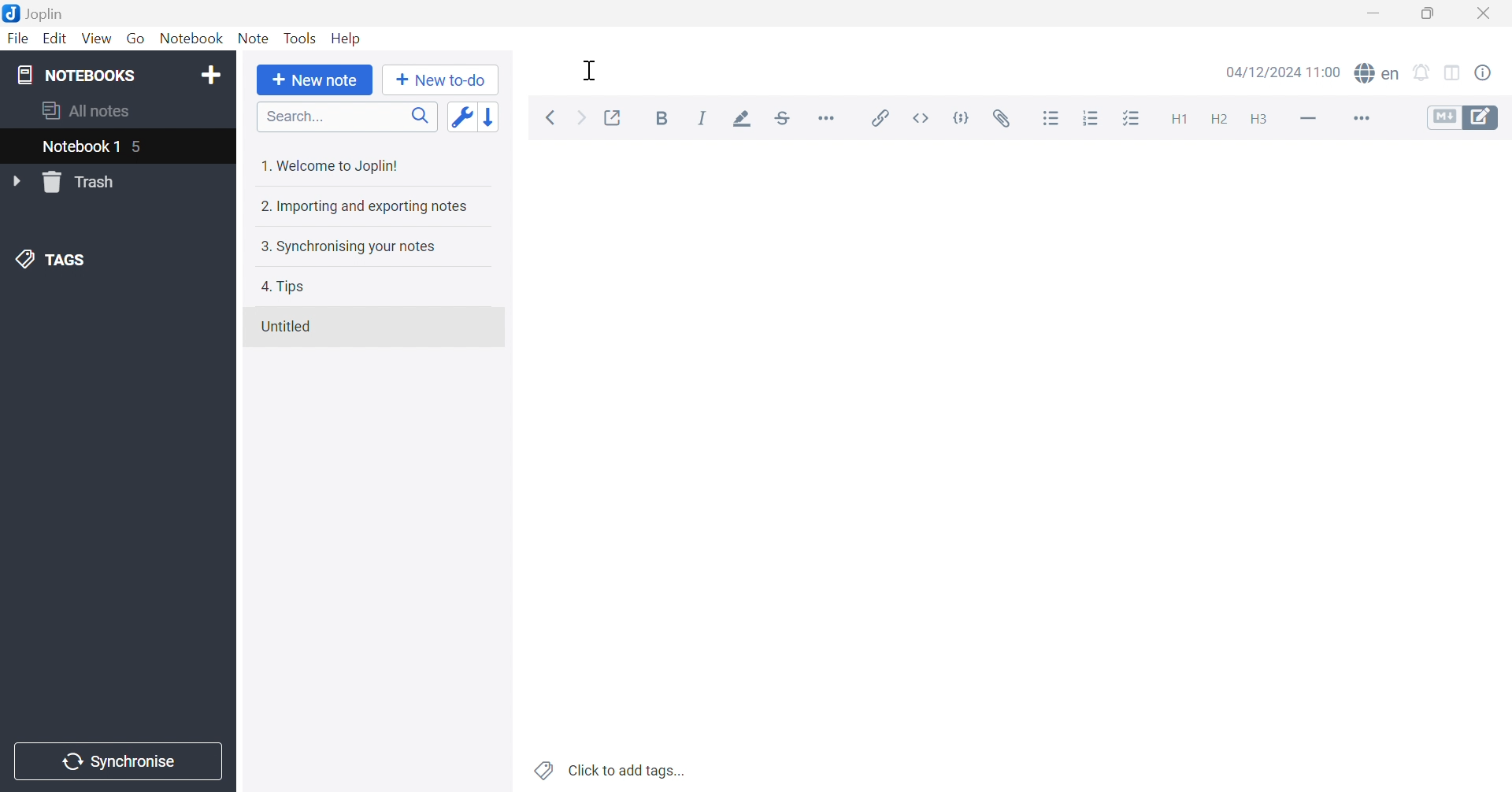  Describe the element at coordinates (705, 120) in the screenshot. I see `Italic` at that location.